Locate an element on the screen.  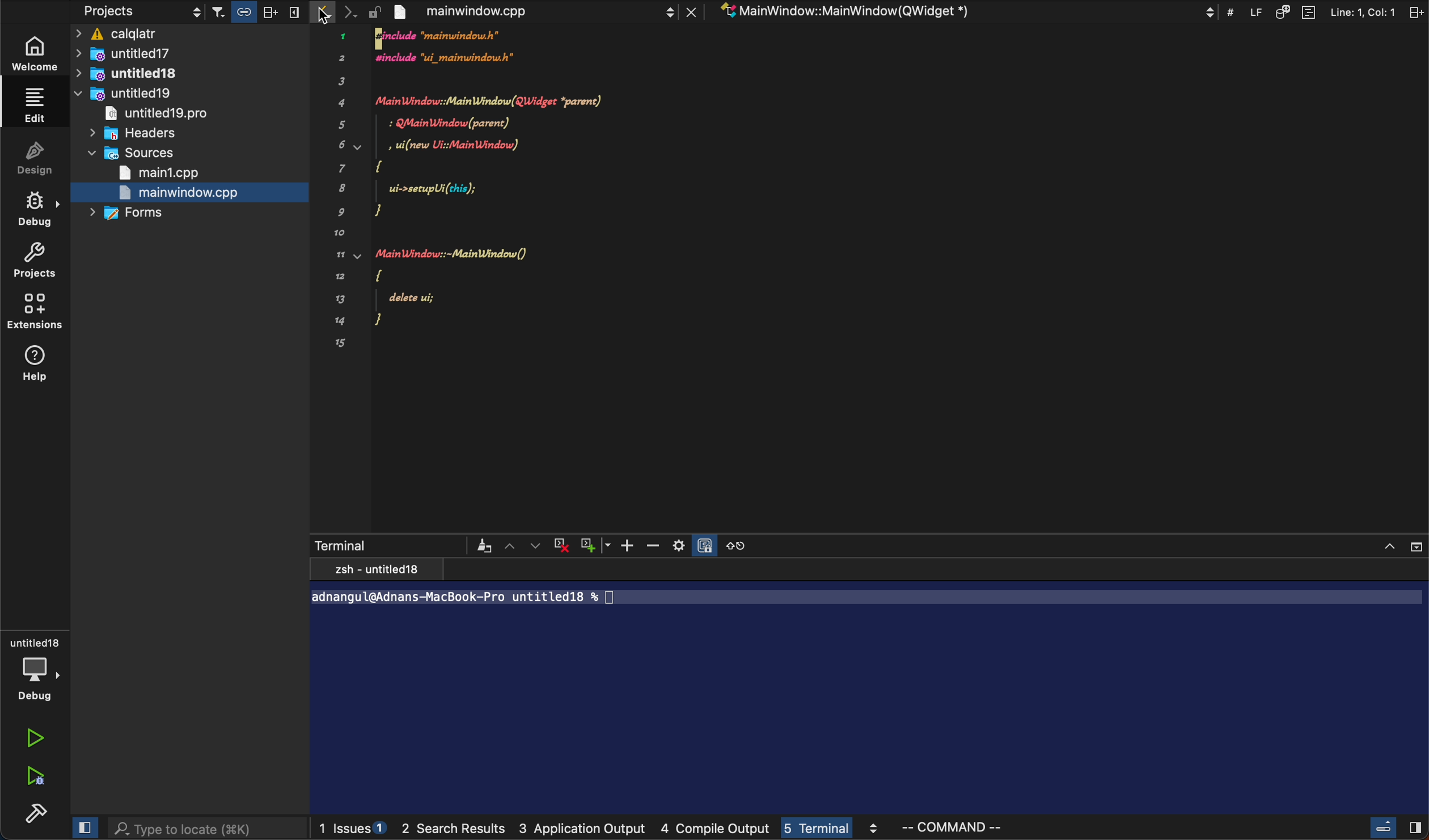
search bar is located at coordinates (206, 828).